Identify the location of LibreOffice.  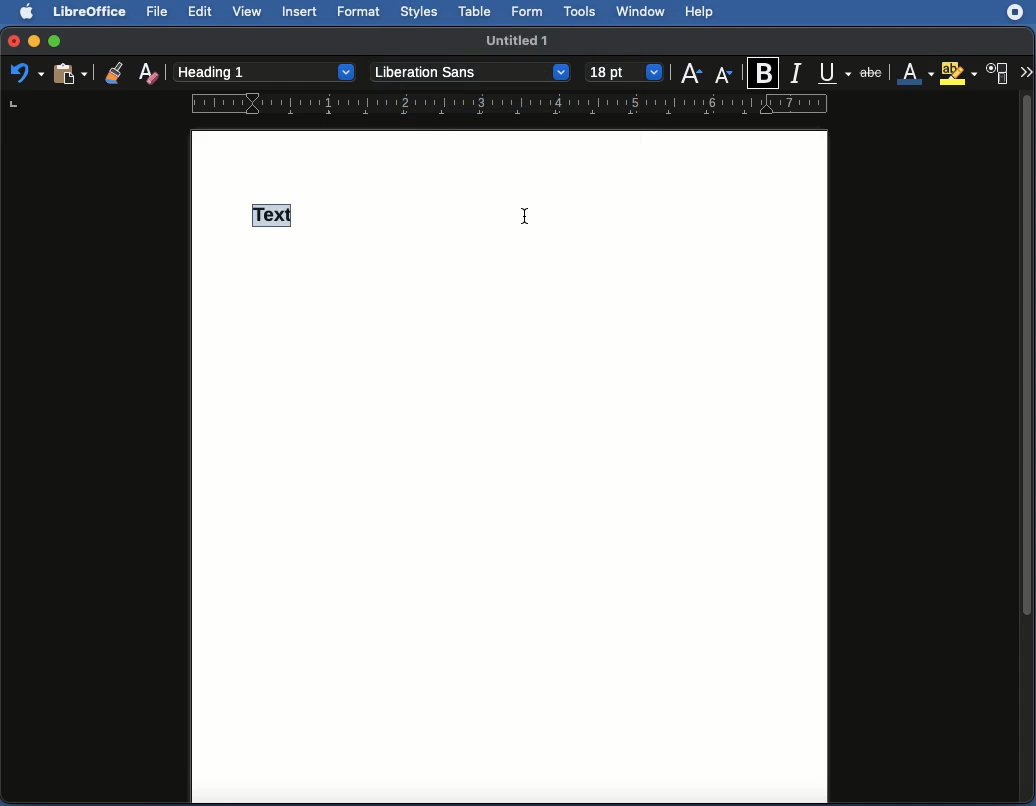
(91, 12).